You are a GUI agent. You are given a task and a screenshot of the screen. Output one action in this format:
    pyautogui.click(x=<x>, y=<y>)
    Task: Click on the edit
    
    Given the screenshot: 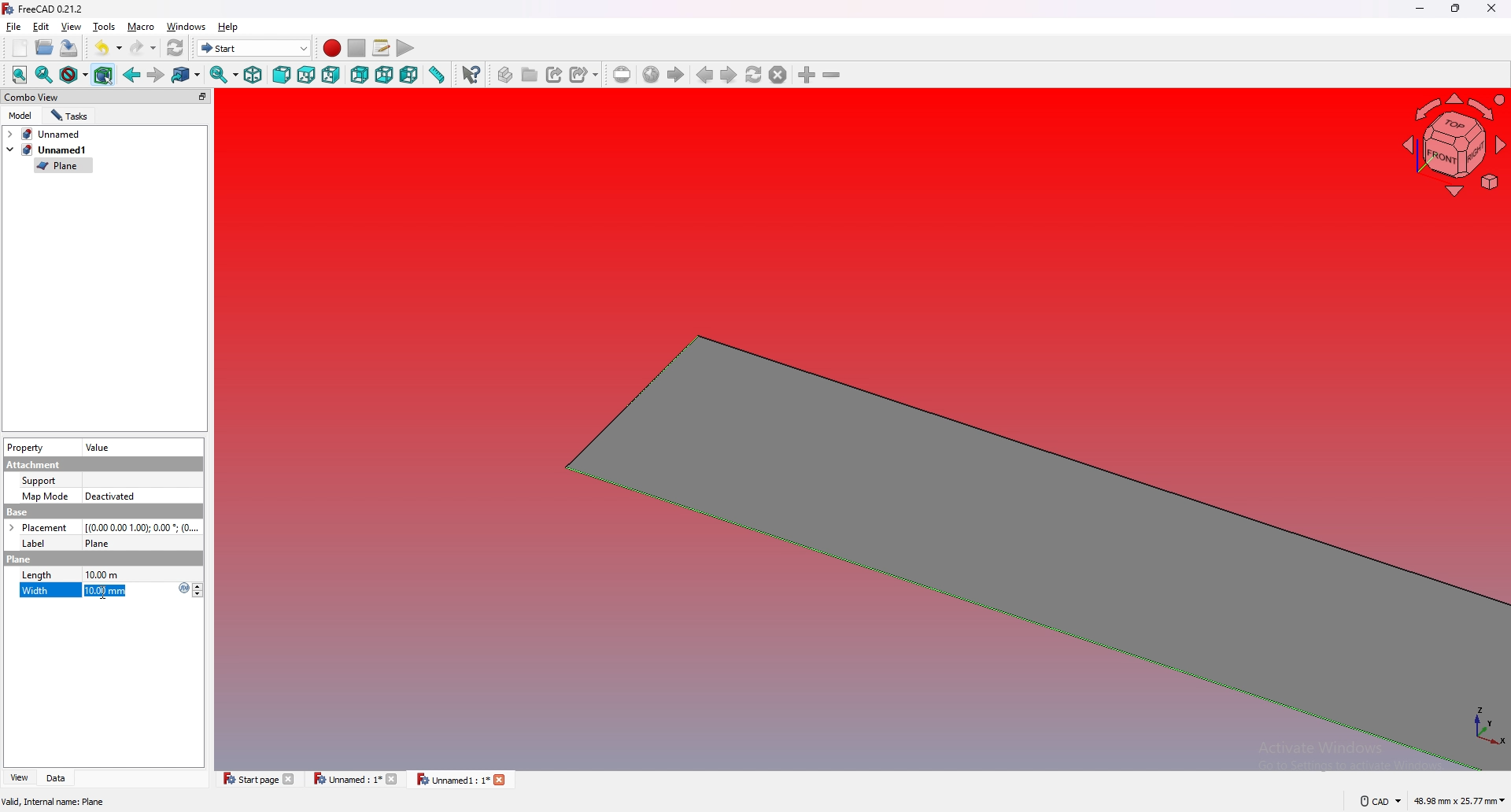 What is the action you would take?
    pyautogui.click(x=41, y=26)
    